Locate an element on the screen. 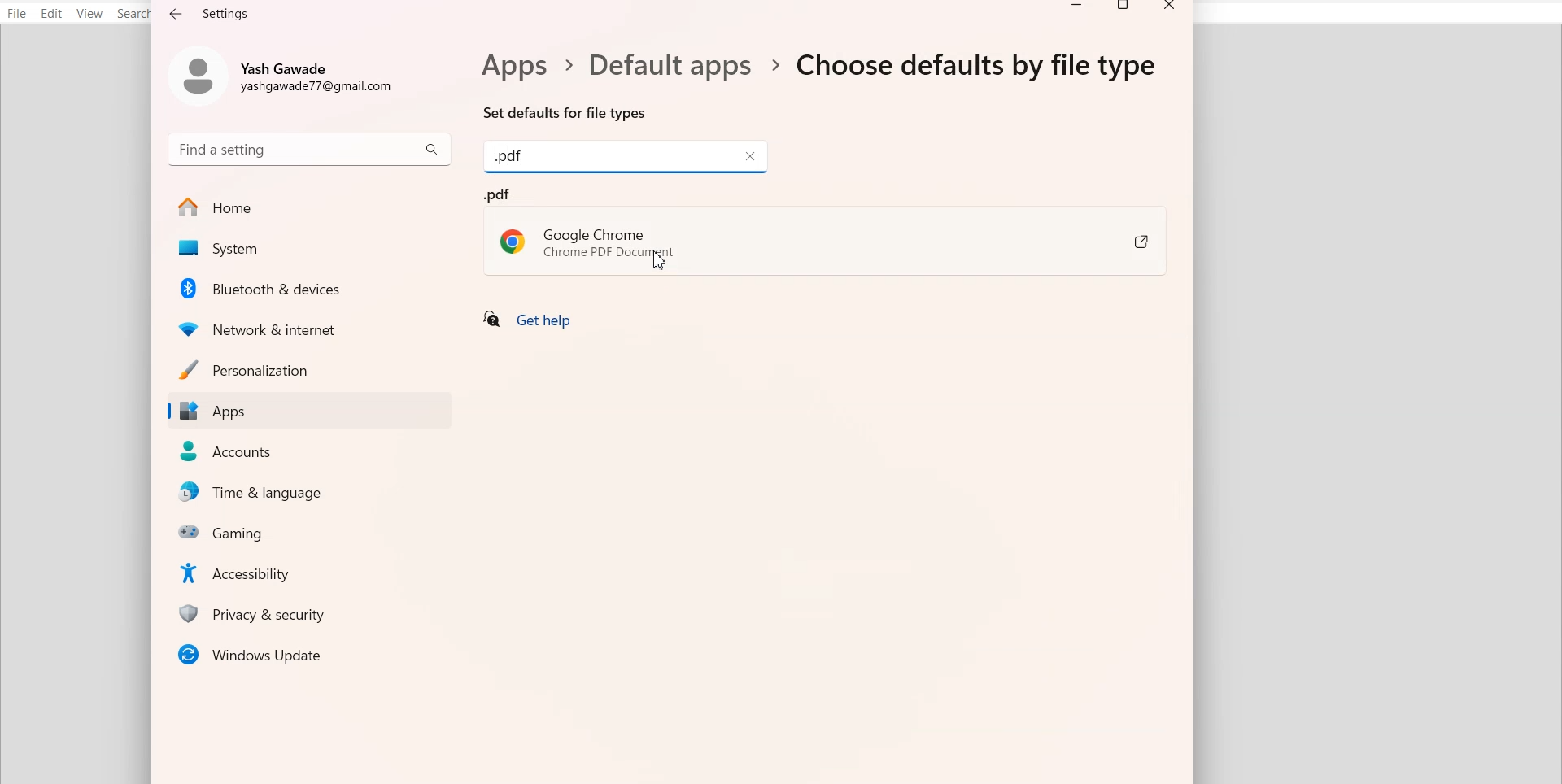 Image resolution: width=1562 pixels, height=784 pixels. Network & Internet is located at coordinates (311, 327).